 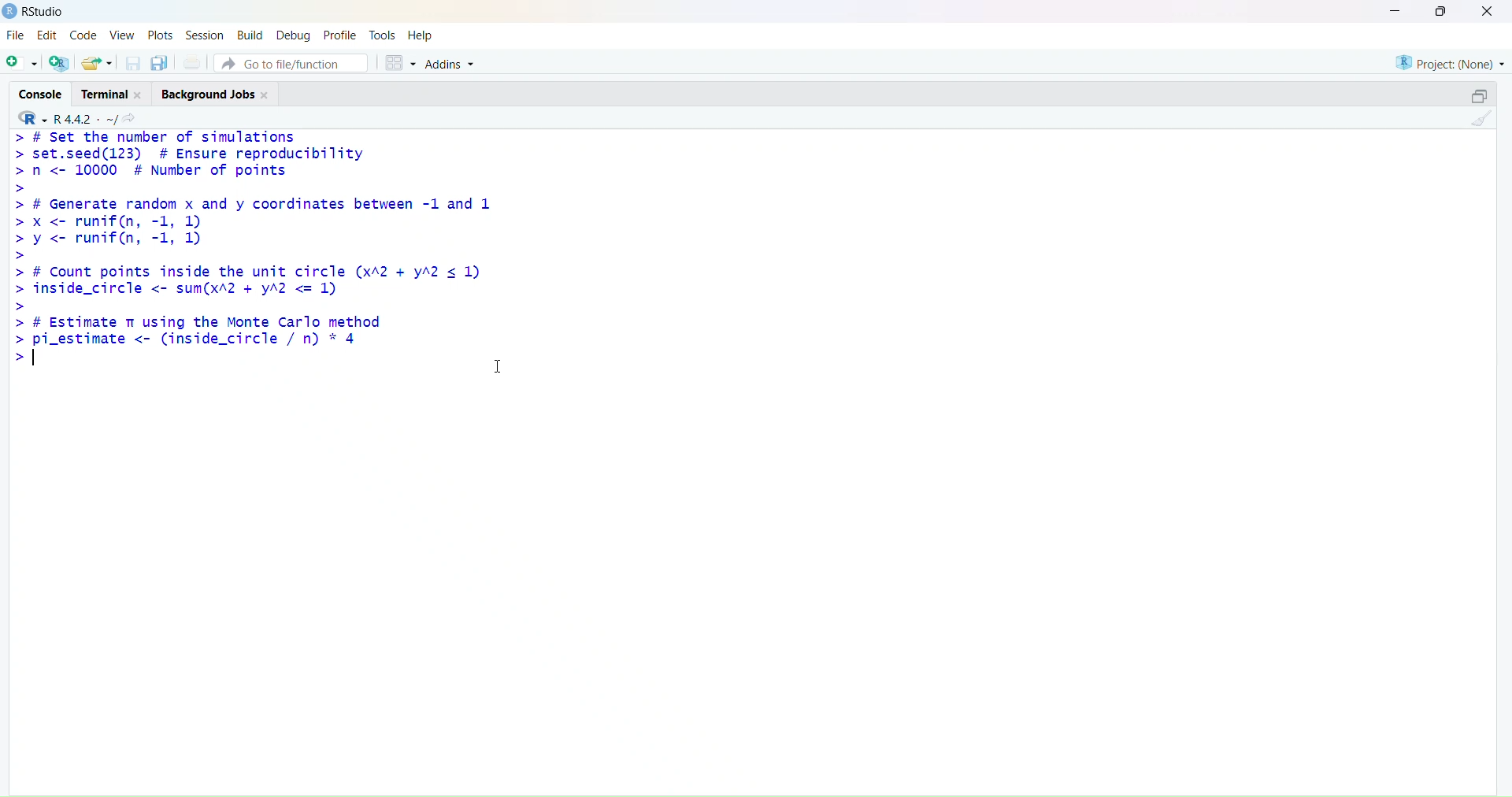 What do you see at coordinates (98, 61) in the screenshot?
I see `Open an existing file (Ctrl + O)` at bounding box center [98, 61].